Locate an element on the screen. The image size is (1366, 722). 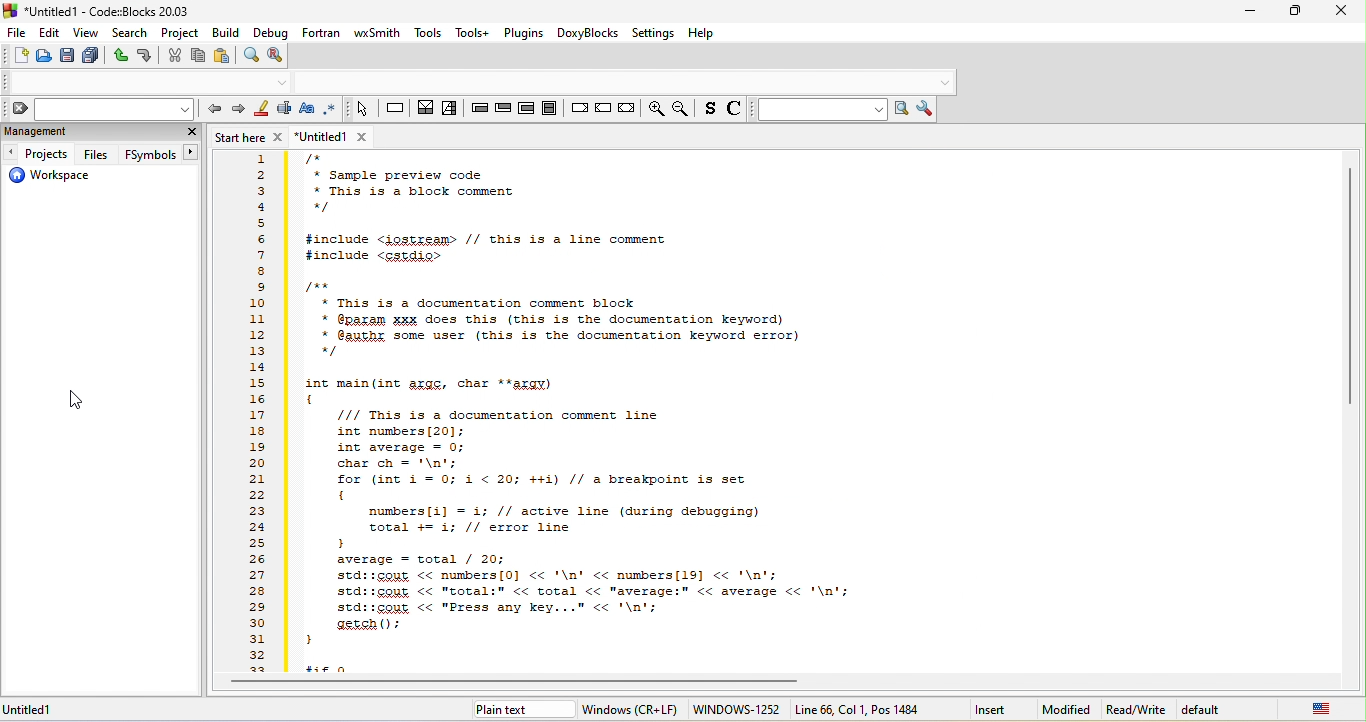
dropdown is located at coordinates (283, 83).